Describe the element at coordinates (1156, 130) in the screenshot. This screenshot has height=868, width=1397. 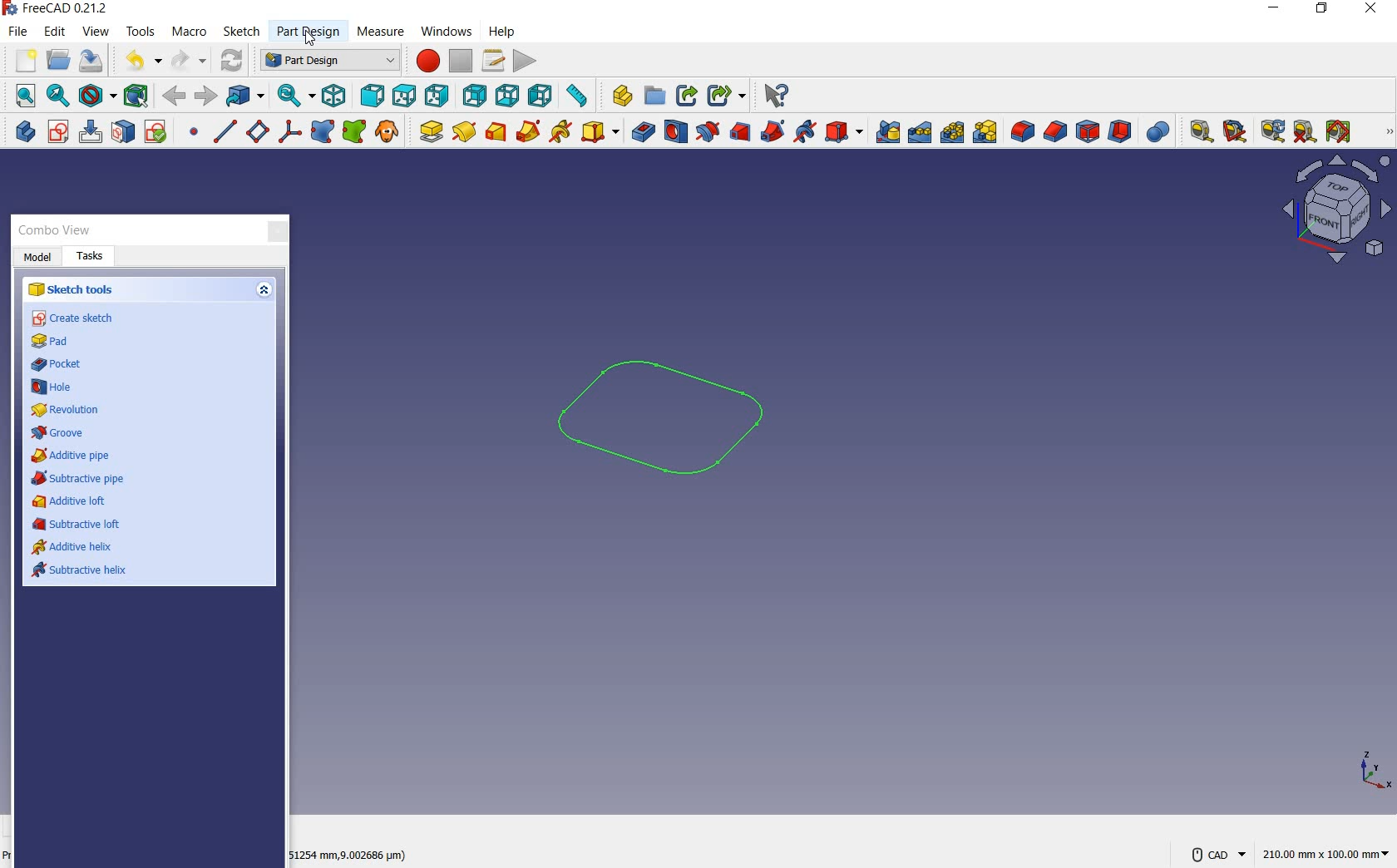
I see `Boolean operation` at that location.